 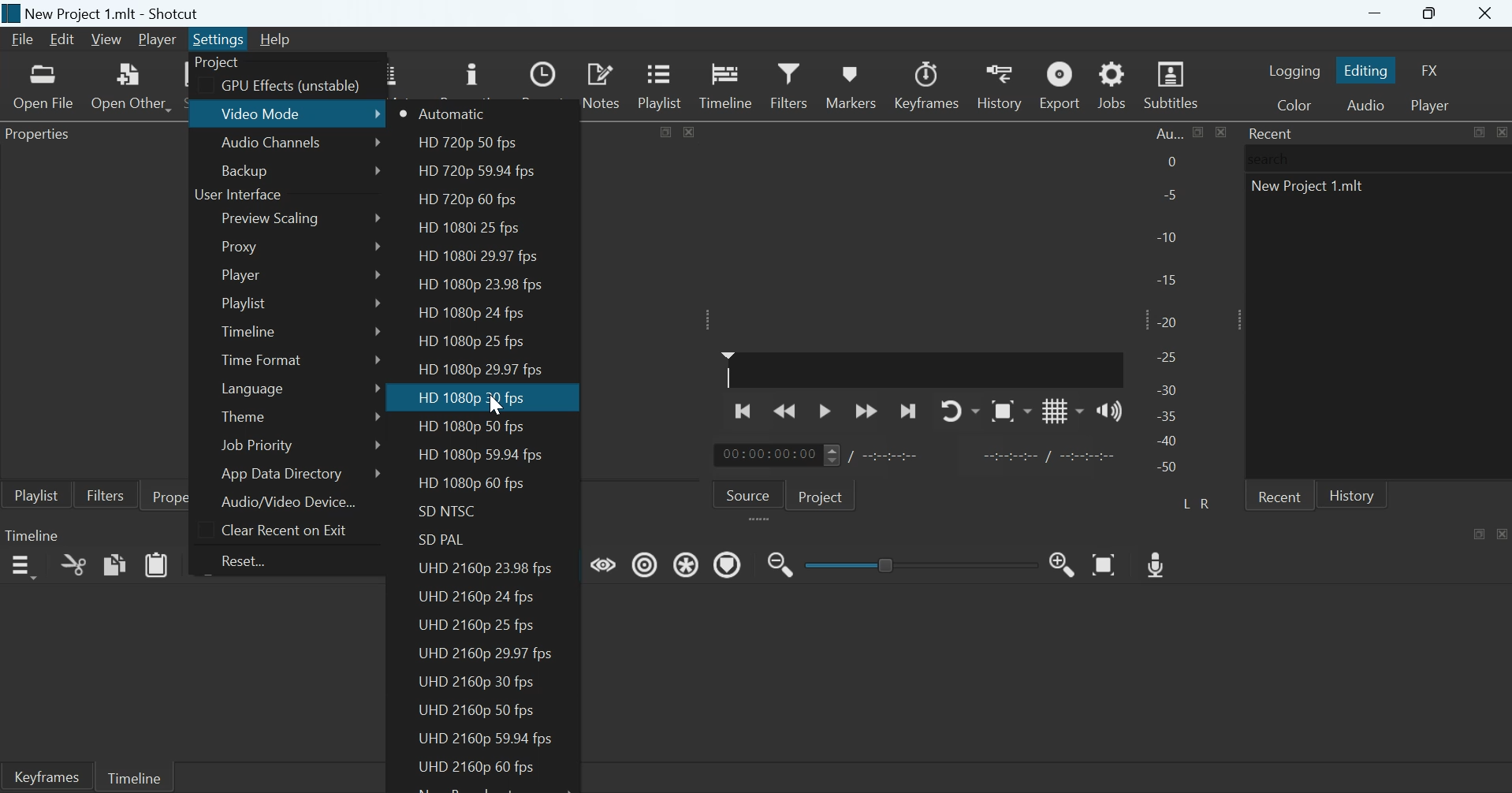 What do you see at coordinates (748, 493) in the screenshot?
I see `Source` at bounding box center [748, 493].